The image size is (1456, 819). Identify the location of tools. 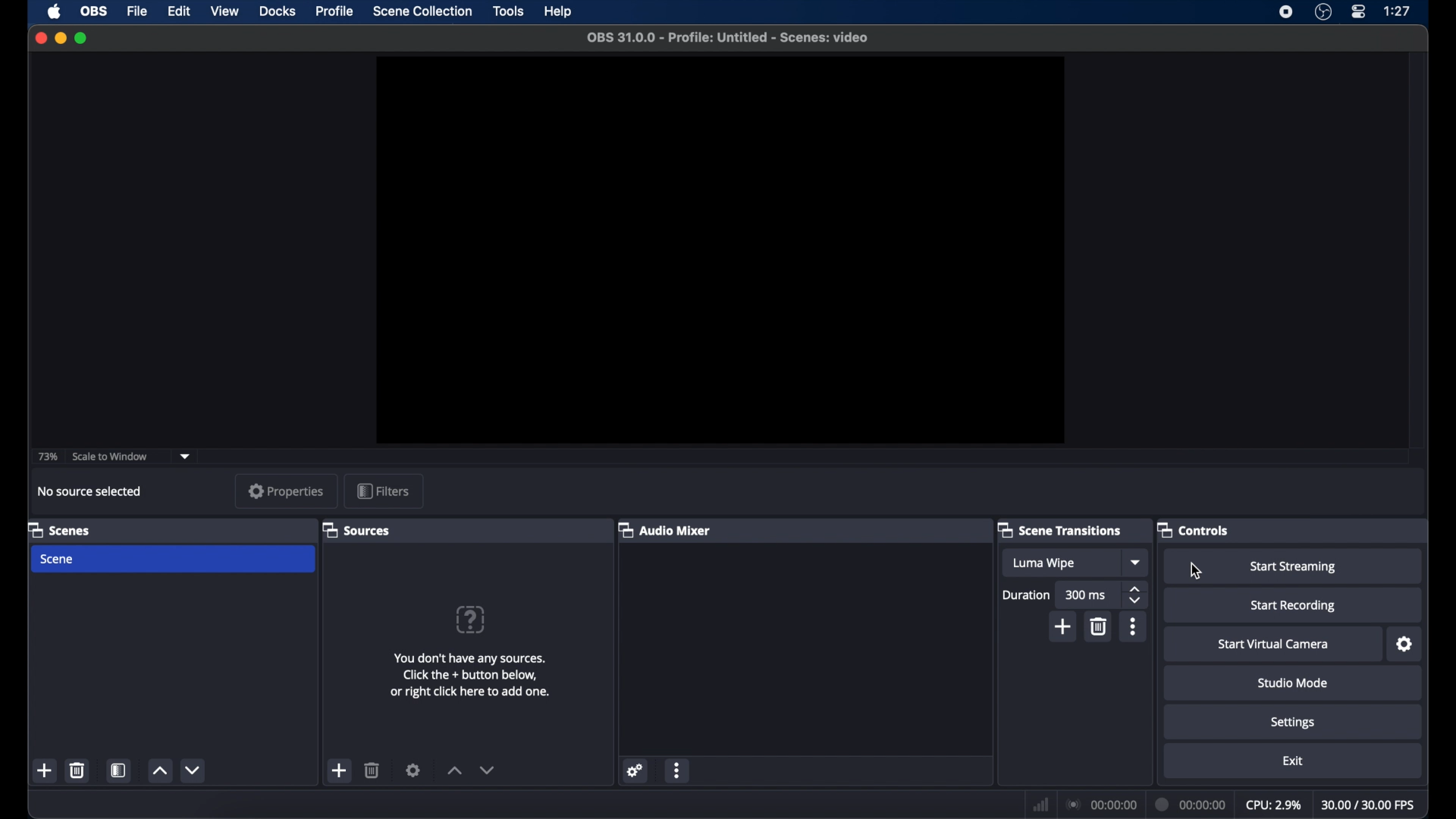
(510, 11).